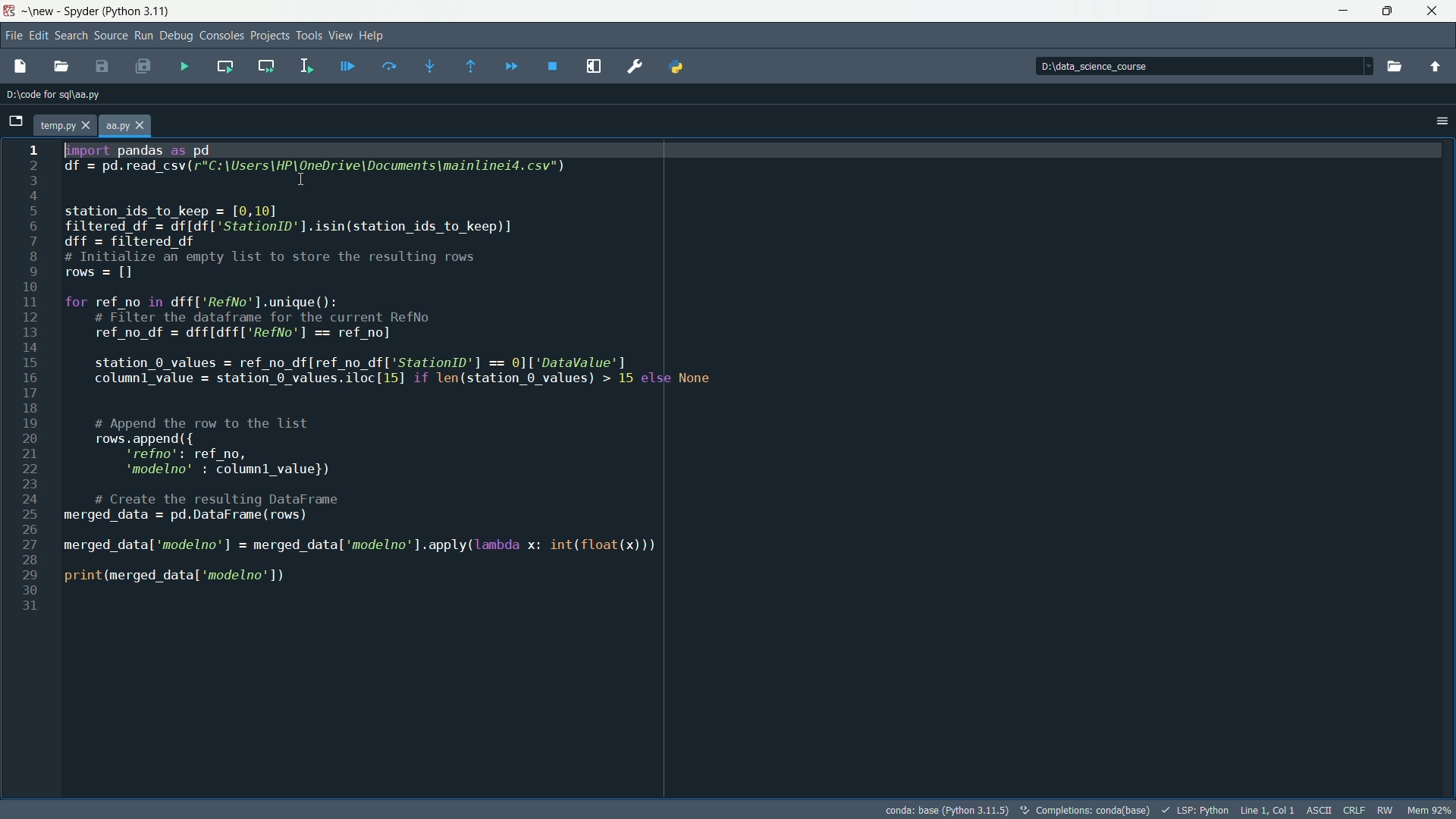  Describe the element at coordinates (1433, 11) in the screenshot. I see `close` at that location.